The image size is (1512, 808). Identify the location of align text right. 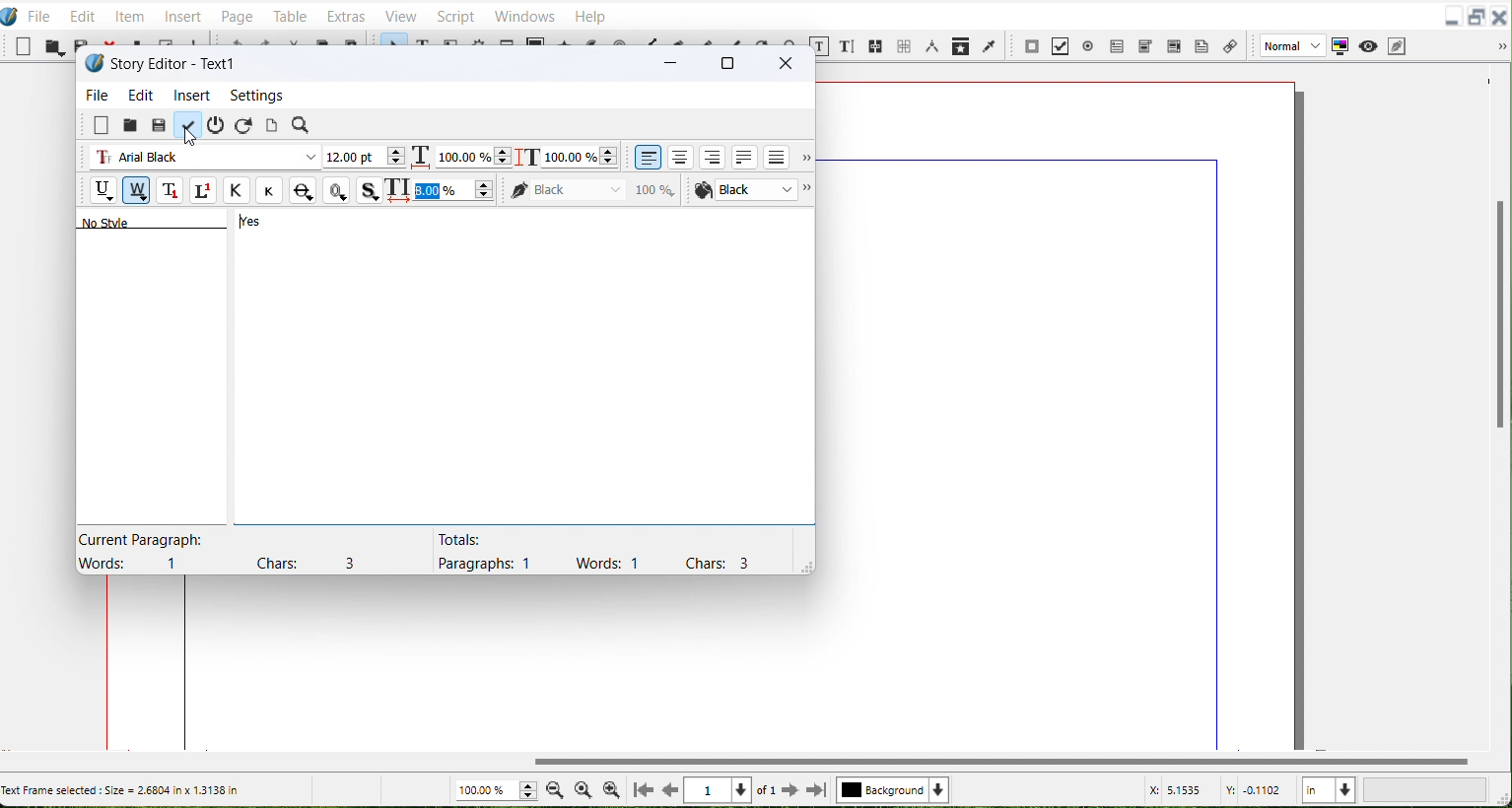
(713, 157).